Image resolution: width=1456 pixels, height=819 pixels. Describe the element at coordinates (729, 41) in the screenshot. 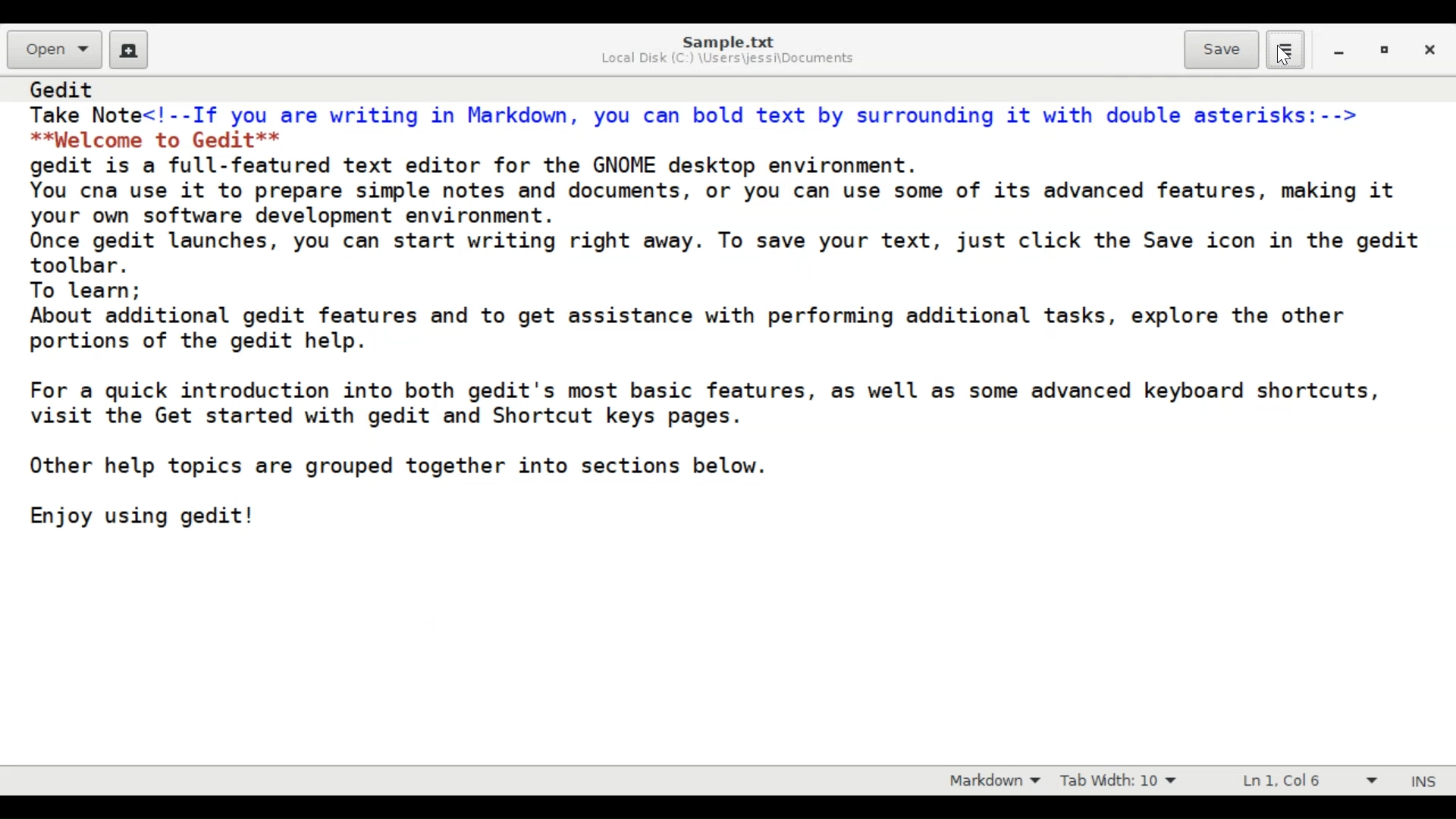

I see `Sample.txt` at that location.